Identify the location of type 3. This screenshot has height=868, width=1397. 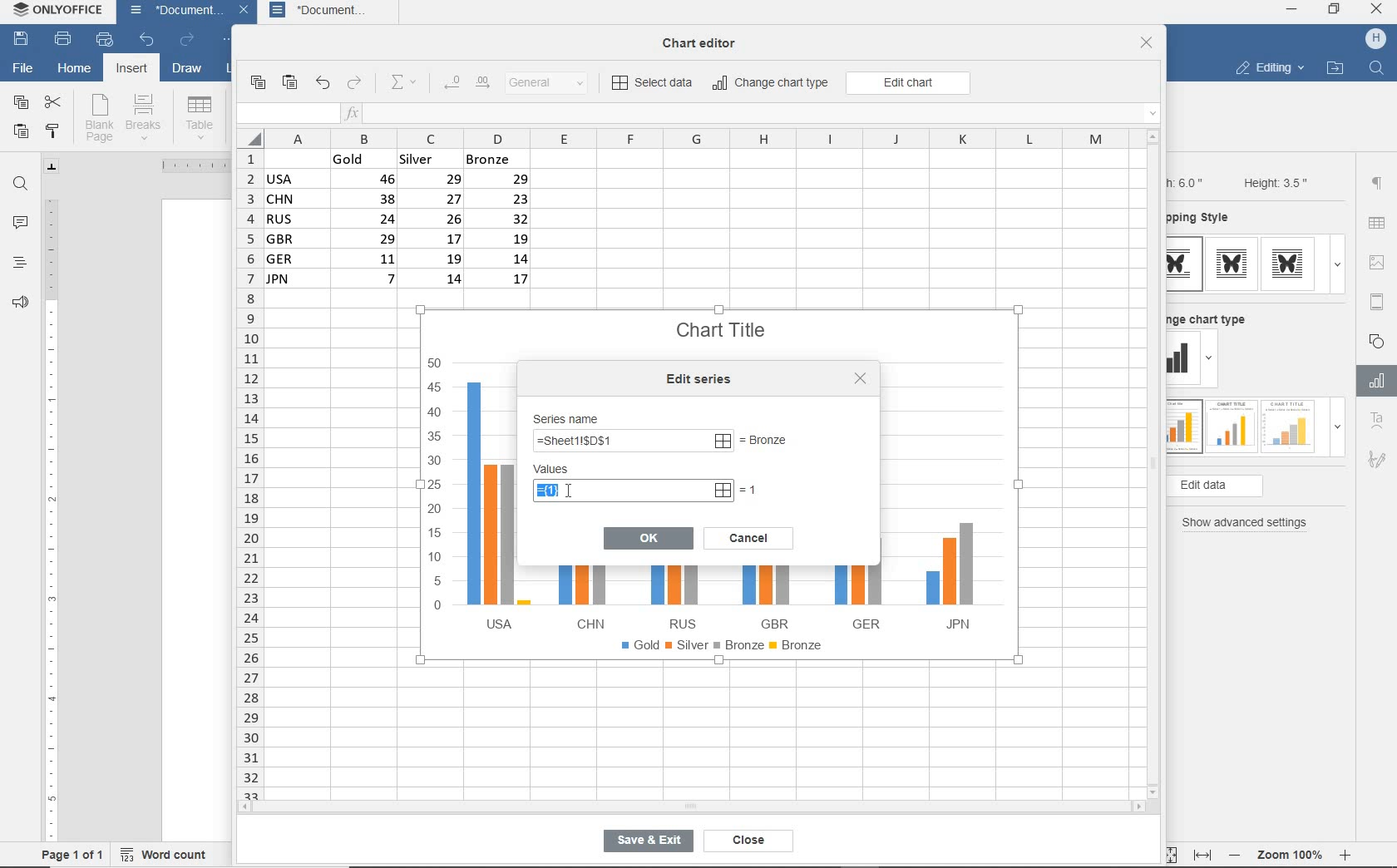
(1289, 425).